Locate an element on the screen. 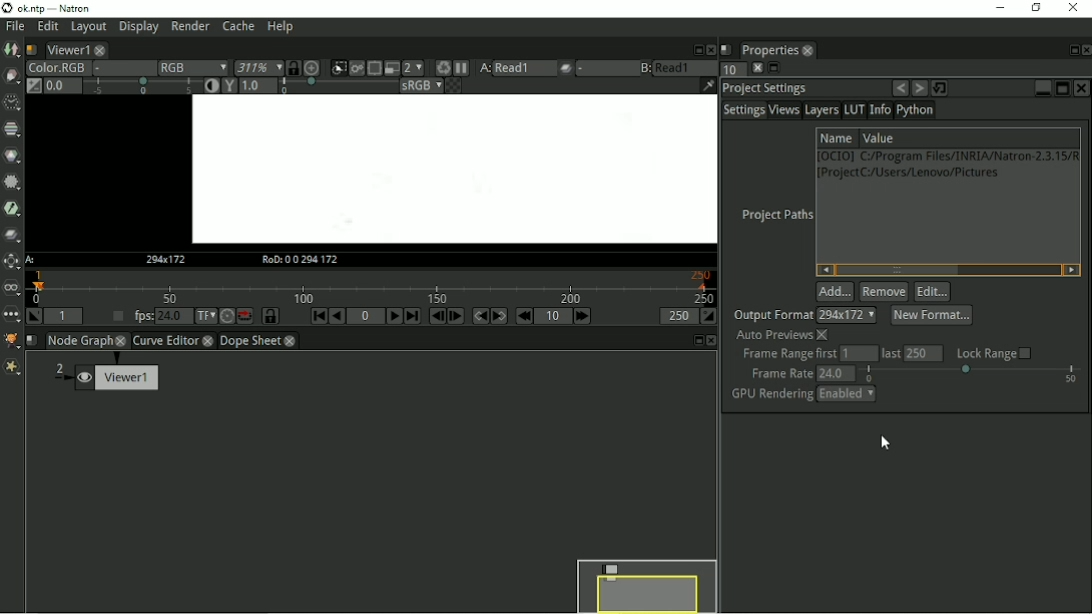  File is located at coordinates (15, 27).